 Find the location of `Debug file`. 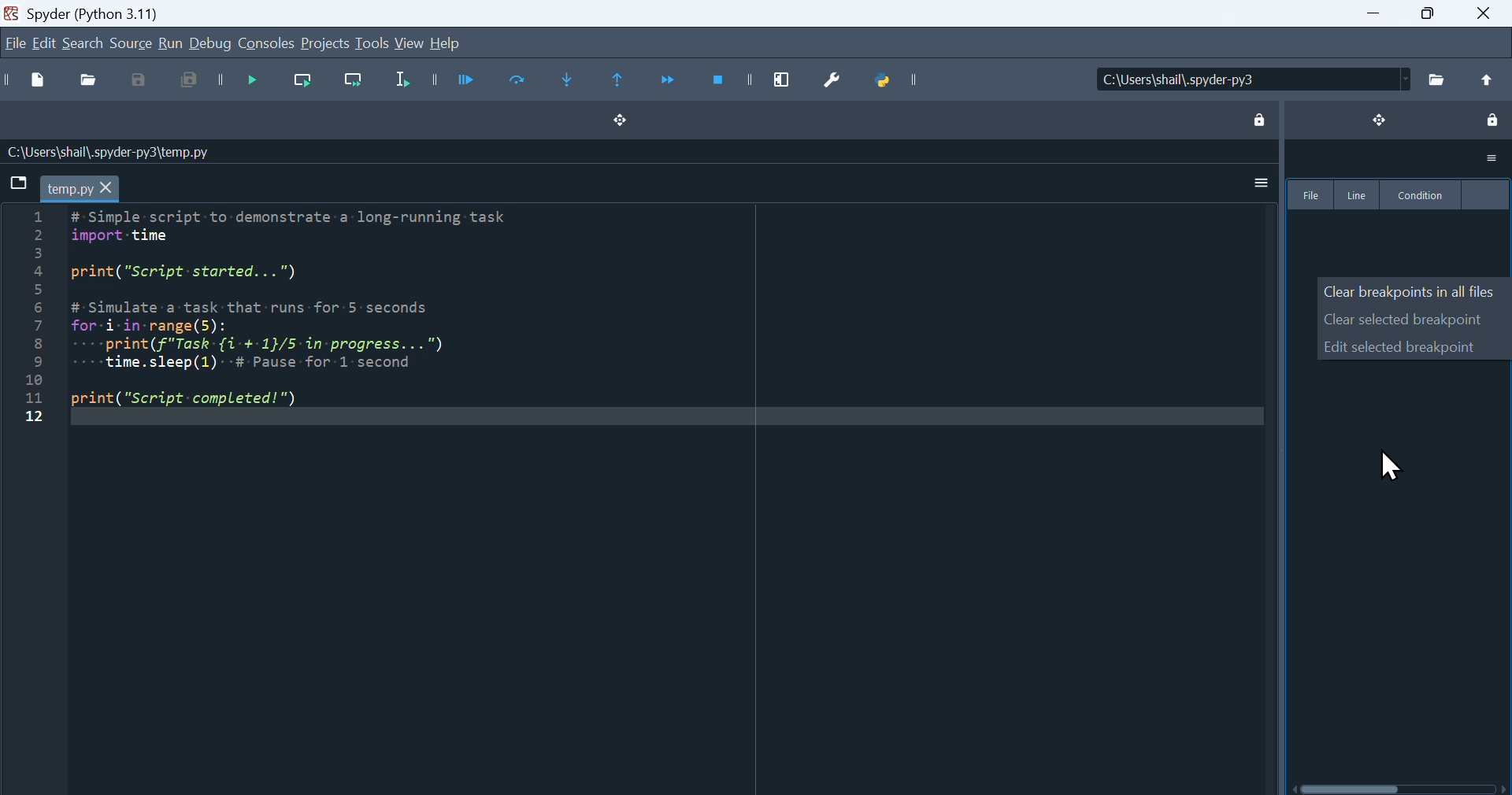

Debug file is located at coordinates (252, 79).